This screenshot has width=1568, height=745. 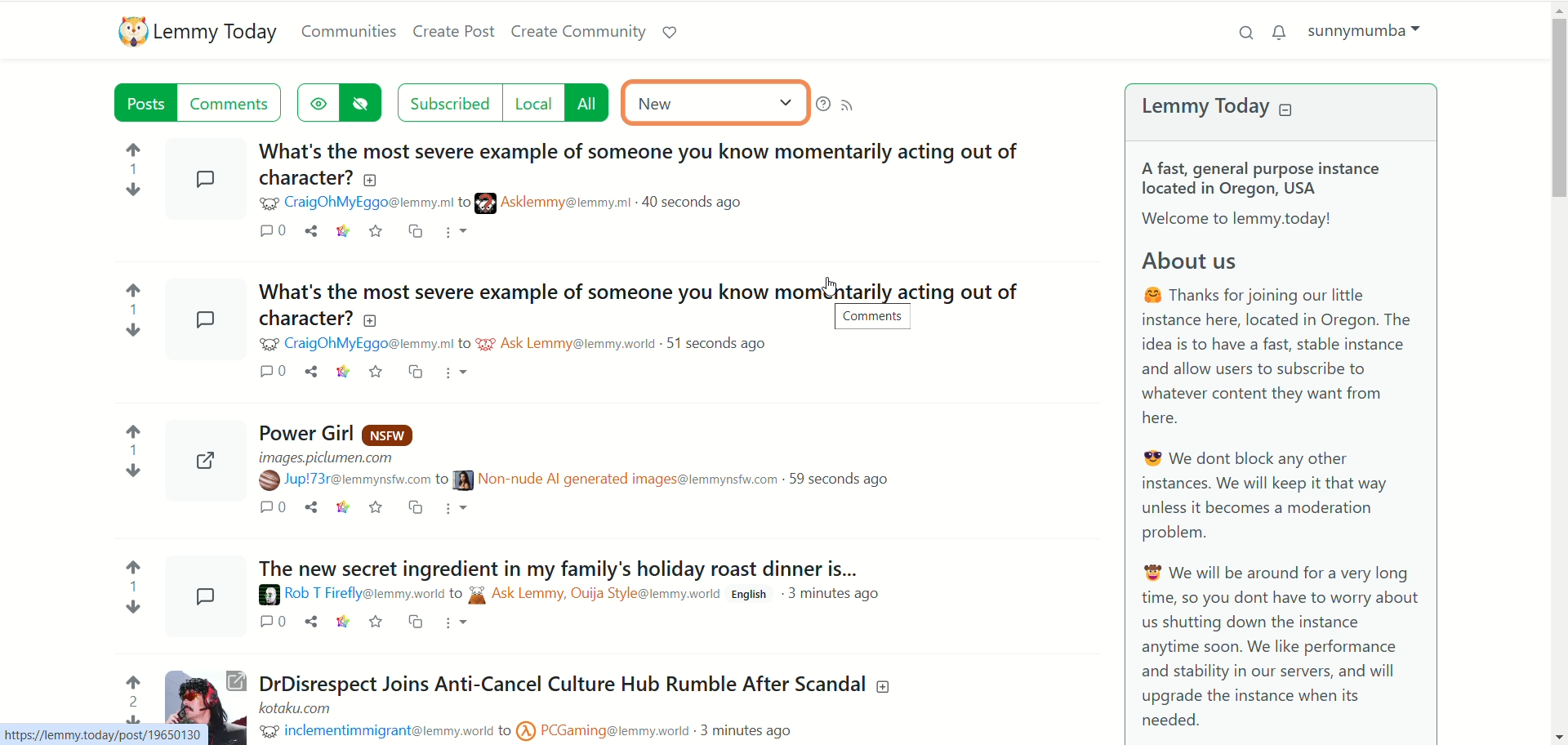 What do you see at coordinates (346, 622) in the screenshot?
I see `link` at bounding box center [346, 622].